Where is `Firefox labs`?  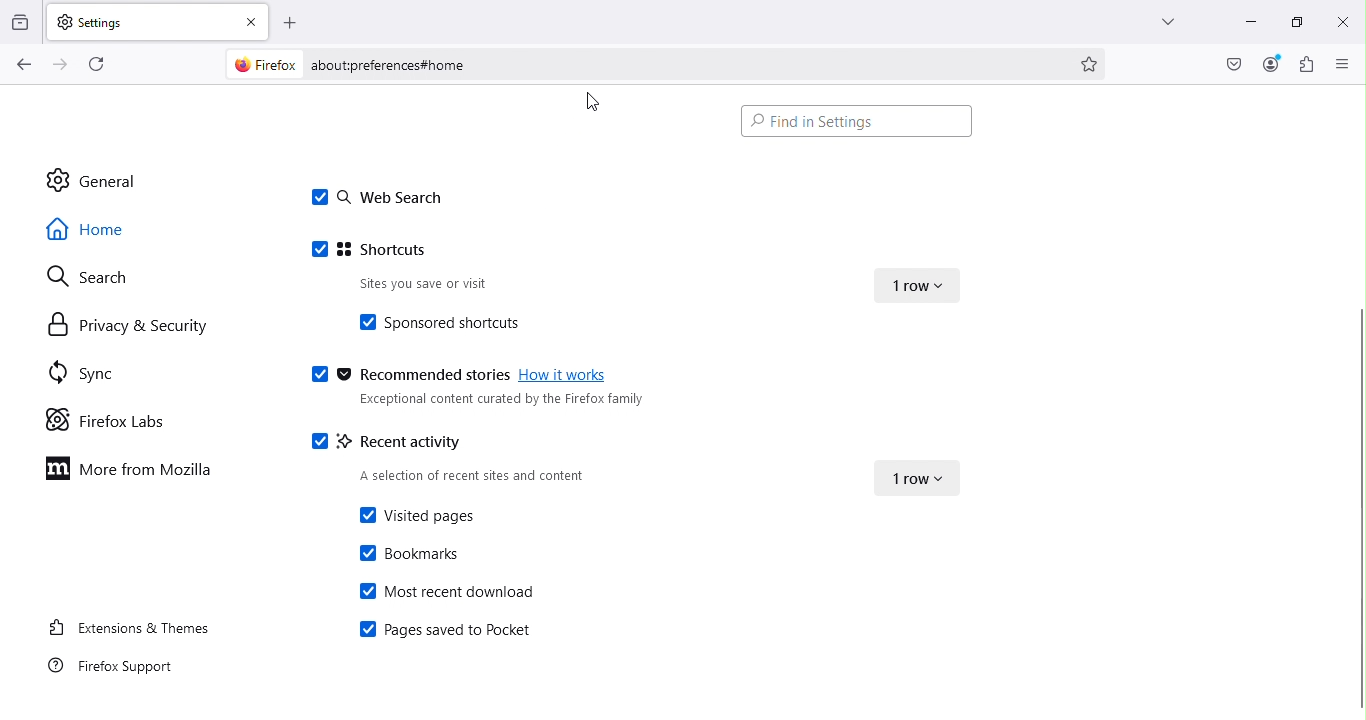
Firefox labs is located at coordinates (110, 419).